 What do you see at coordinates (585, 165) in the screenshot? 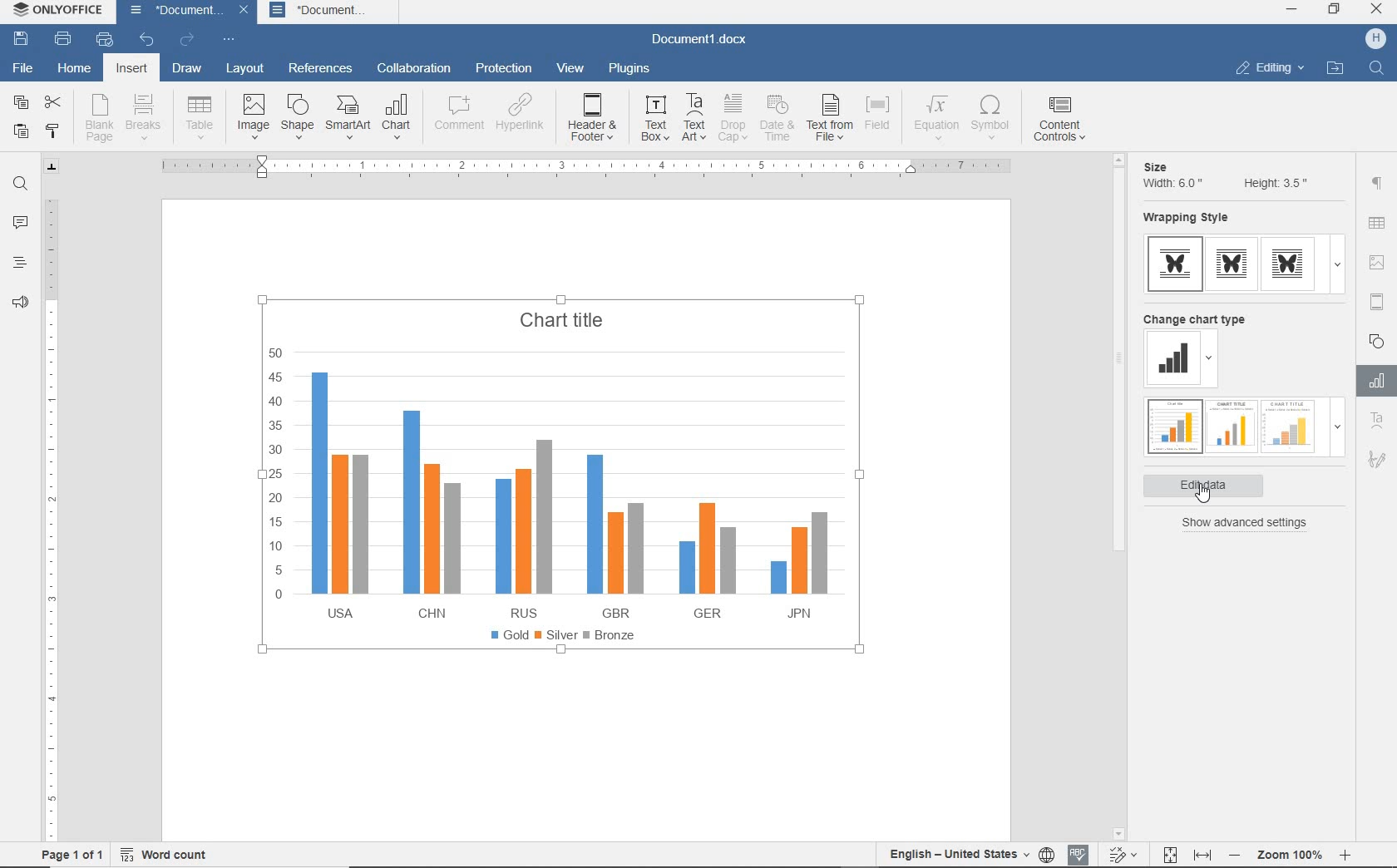
I see `ruler` at bounding box center [585, 165].